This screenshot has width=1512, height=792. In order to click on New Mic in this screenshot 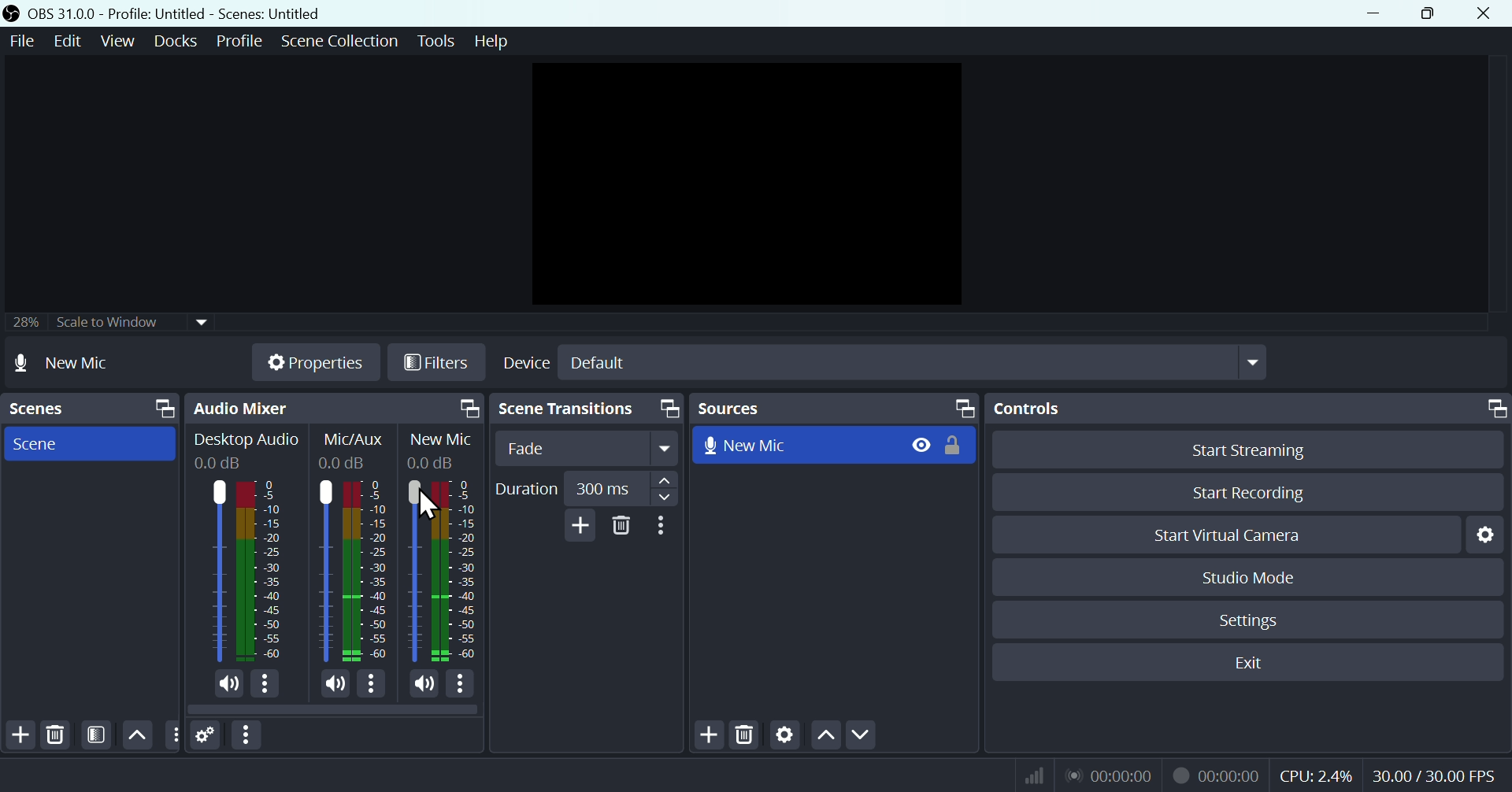, I will do `click(442, 440)`.